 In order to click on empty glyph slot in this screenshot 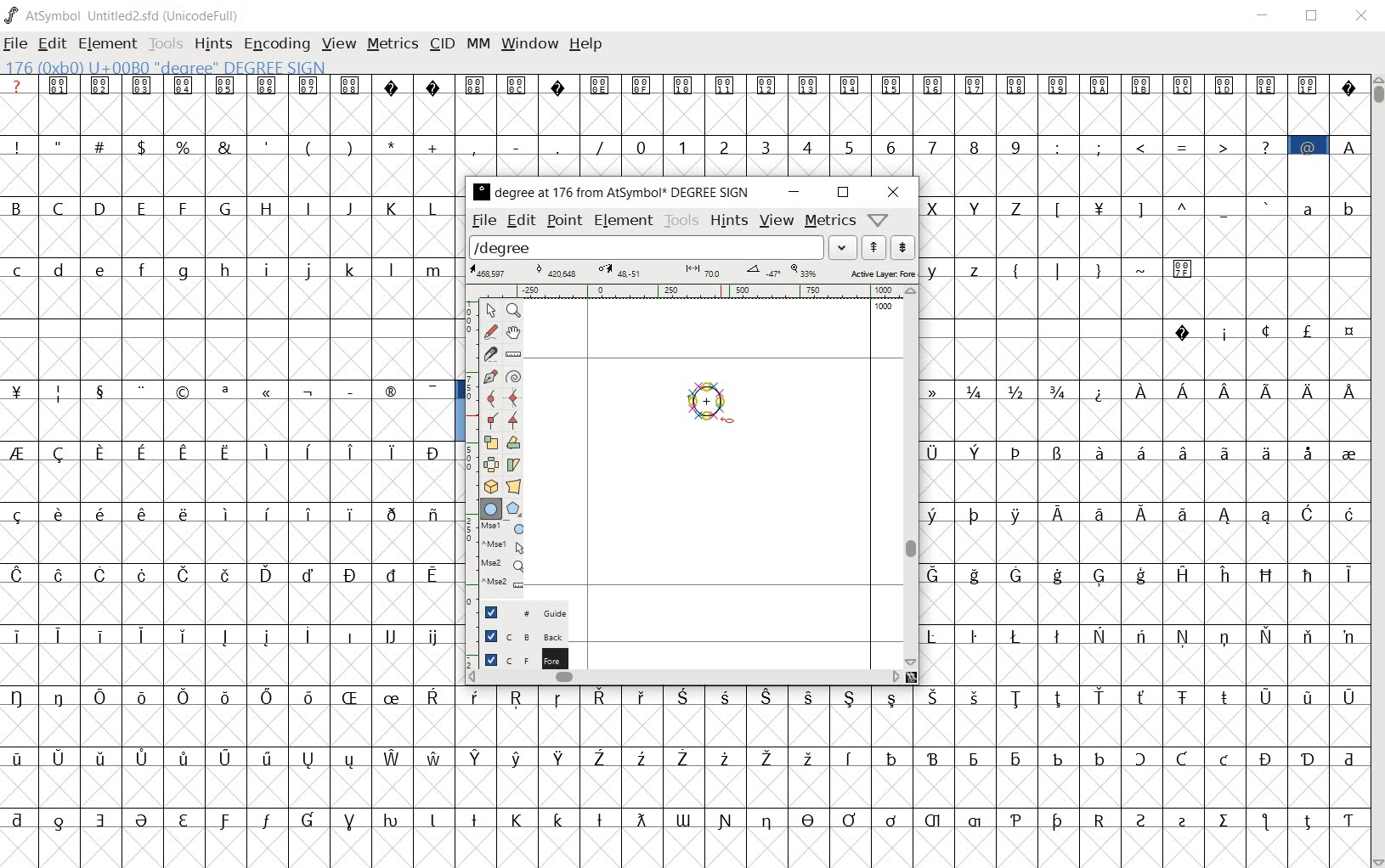, I will do `click(229, 786)`.